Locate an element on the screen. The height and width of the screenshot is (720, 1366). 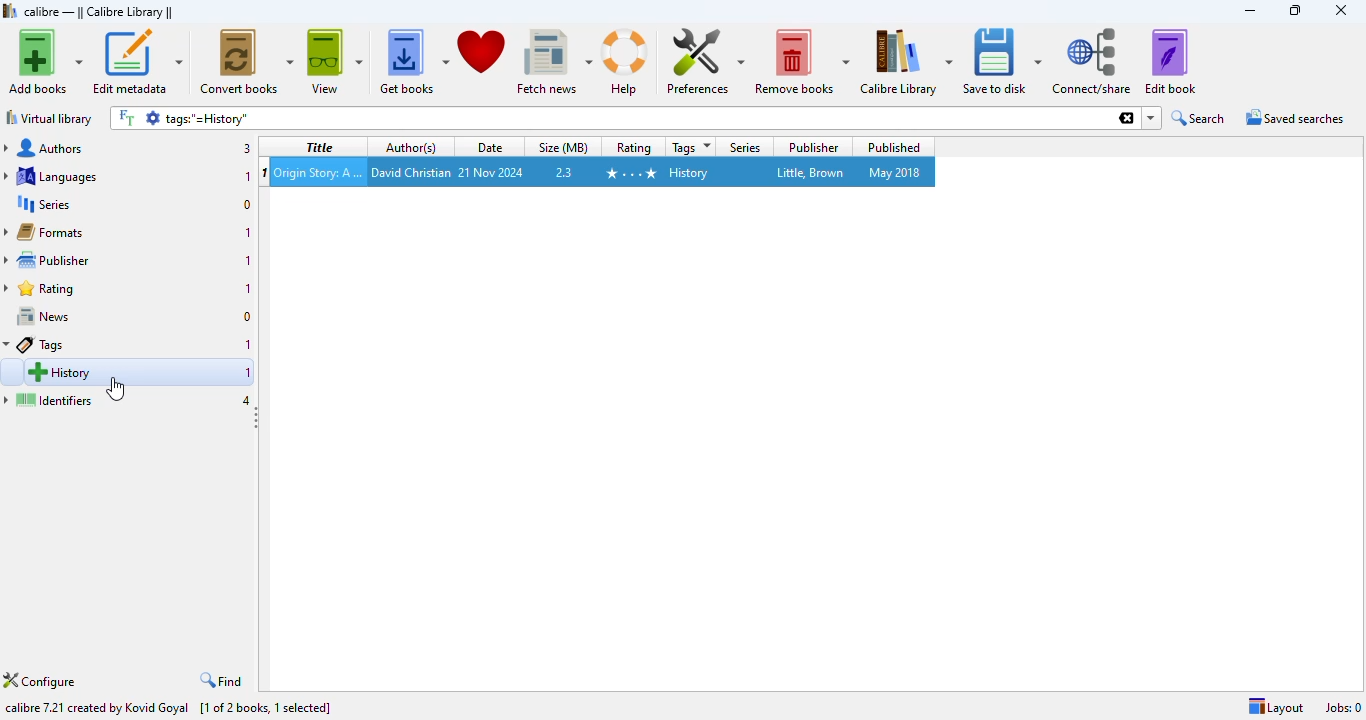
0 is located at coordinates (244, 204).